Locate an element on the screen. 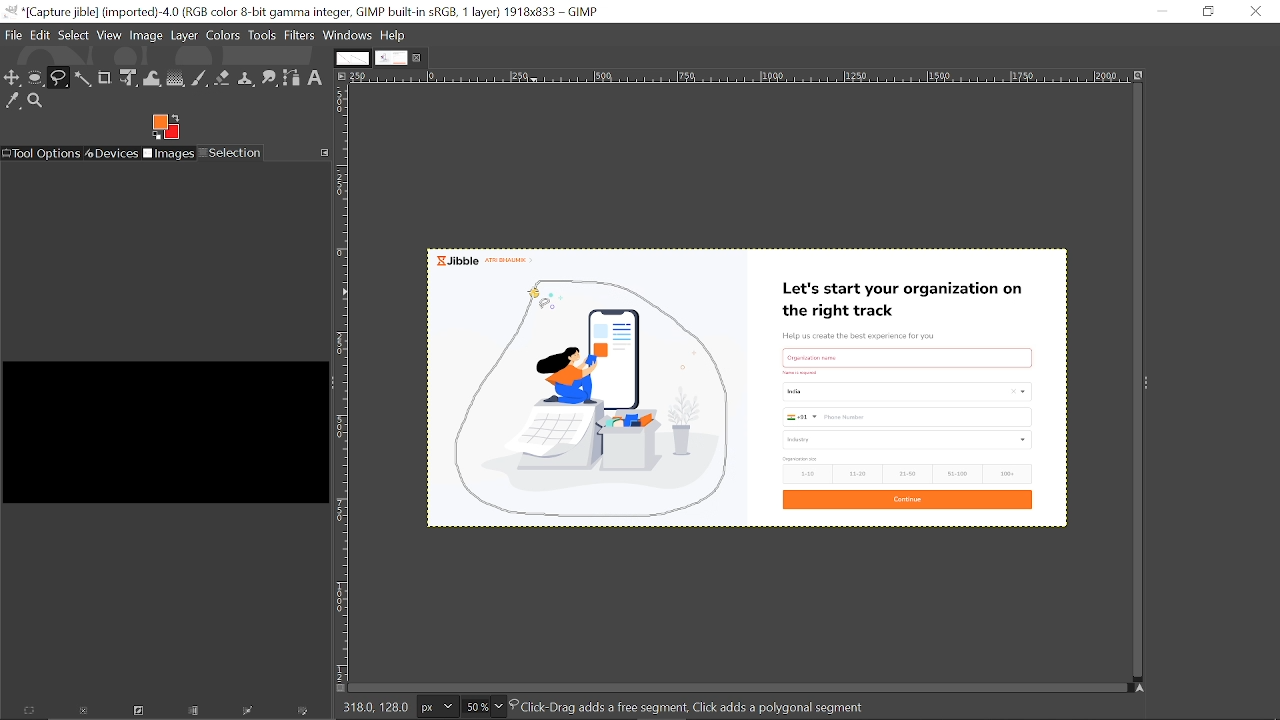 This screenshot has width=1280, height=720.  is located at coordinates (262, 35).